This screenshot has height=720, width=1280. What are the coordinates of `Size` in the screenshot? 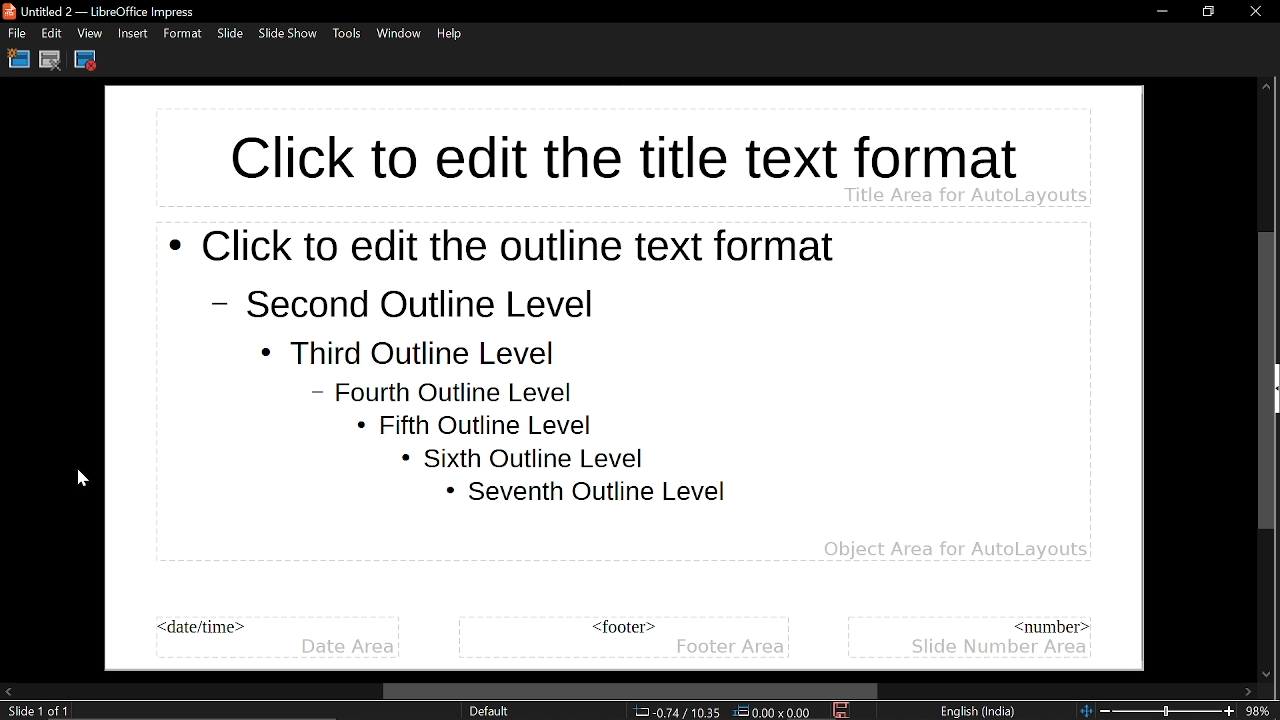 It's located at (774, 712).